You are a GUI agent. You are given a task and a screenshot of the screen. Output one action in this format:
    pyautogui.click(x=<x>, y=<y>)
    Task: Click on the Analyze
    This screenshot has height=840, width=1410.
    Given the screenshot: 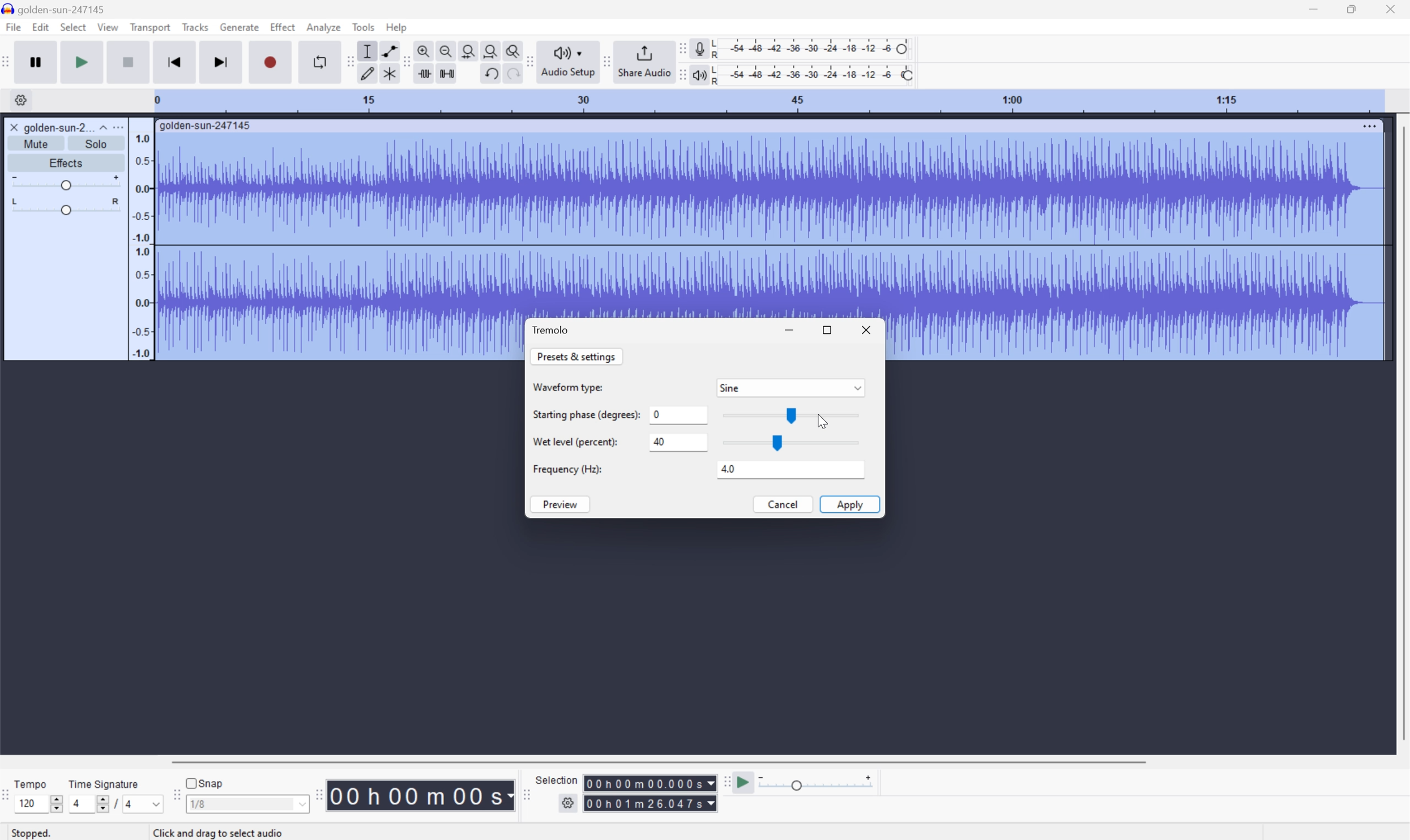 What is the action you would take?
    pyautogui.click(x=323, y=27)
    